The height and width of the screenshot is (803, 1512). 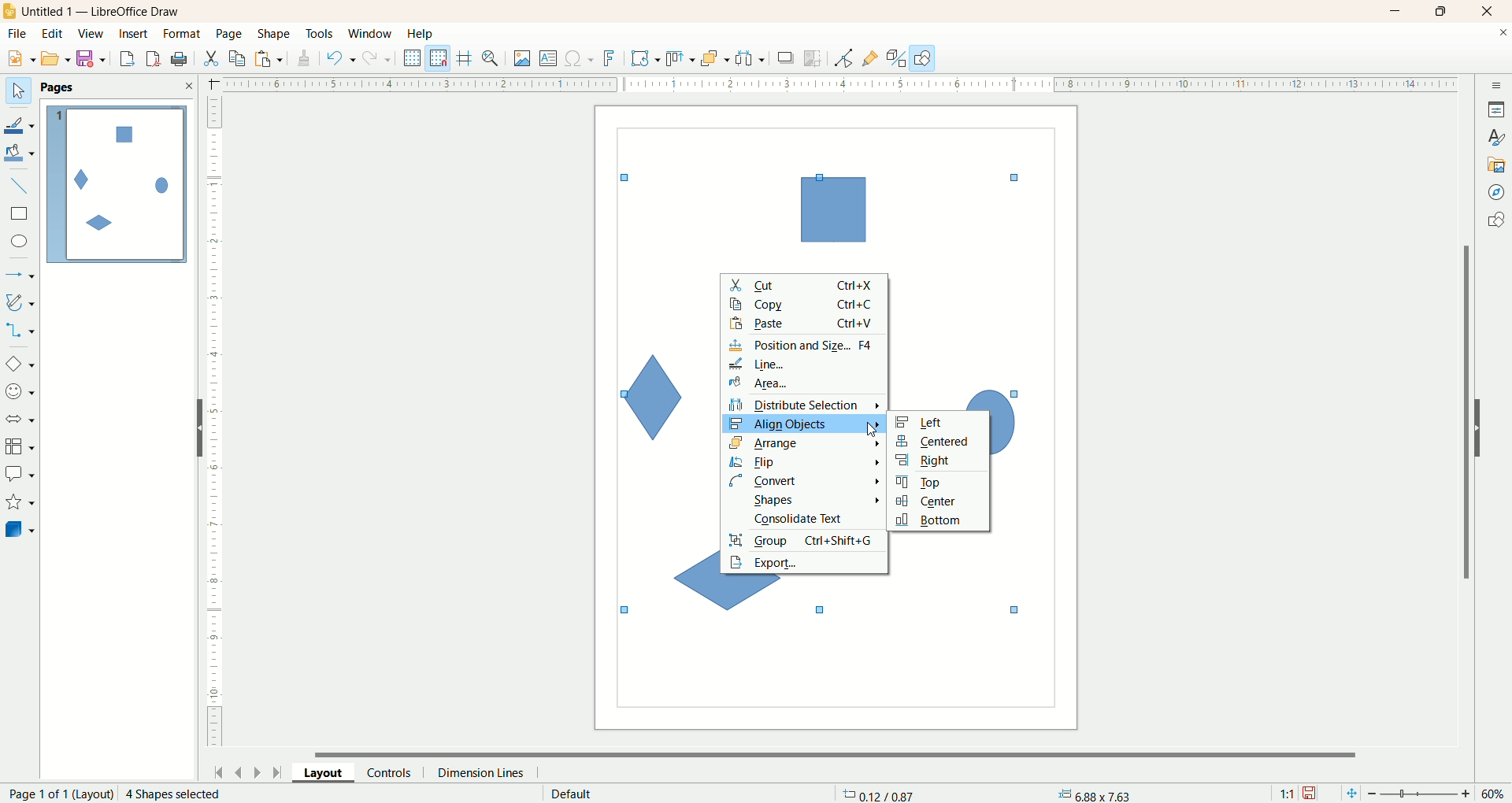 What do you see at coordinates (117, 184) in the screenshot?
I see `page1` at bounding box center [117, 184].